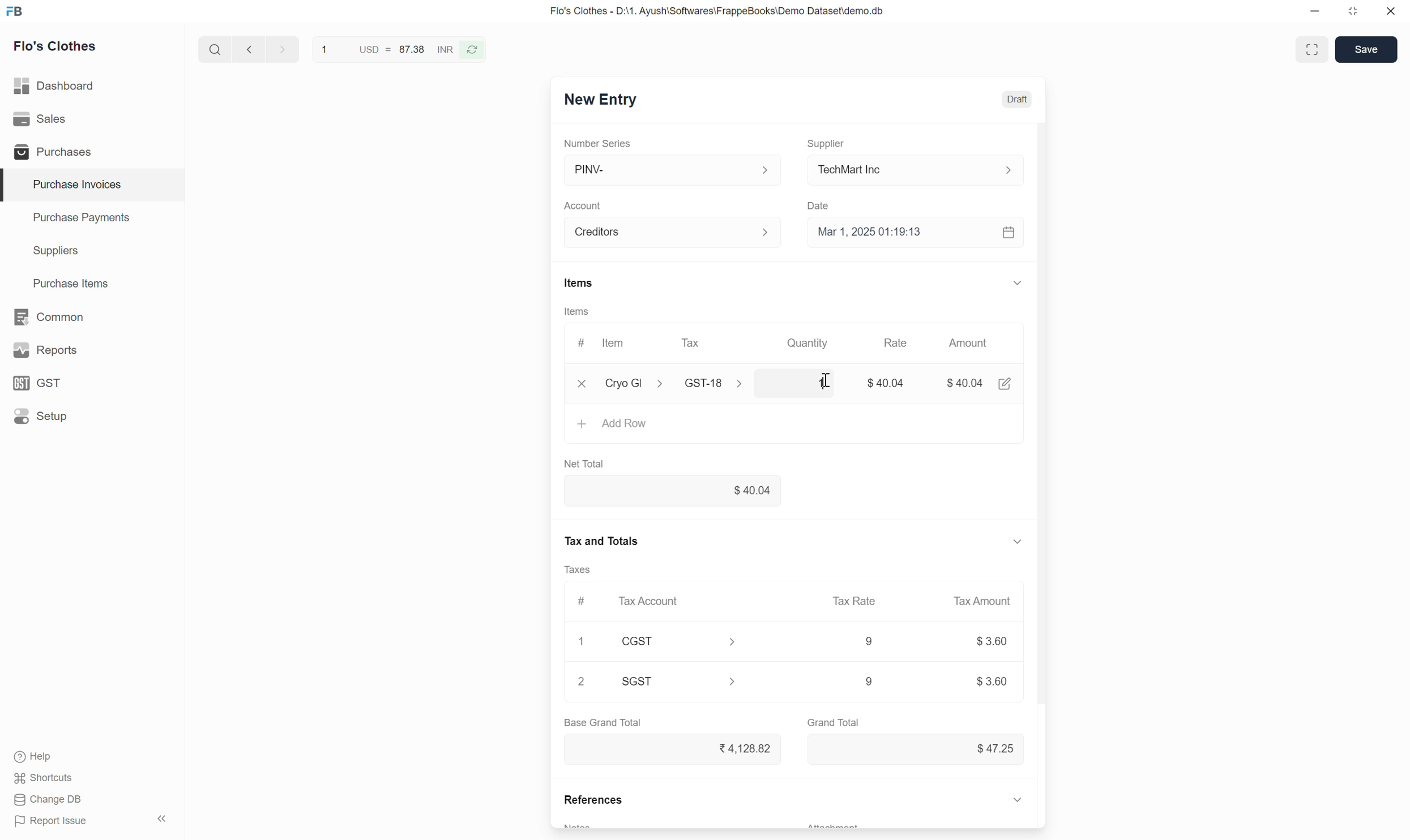  Describe the element at coordinates (46, 758) in the screenshot. I see ` Help` at that location.